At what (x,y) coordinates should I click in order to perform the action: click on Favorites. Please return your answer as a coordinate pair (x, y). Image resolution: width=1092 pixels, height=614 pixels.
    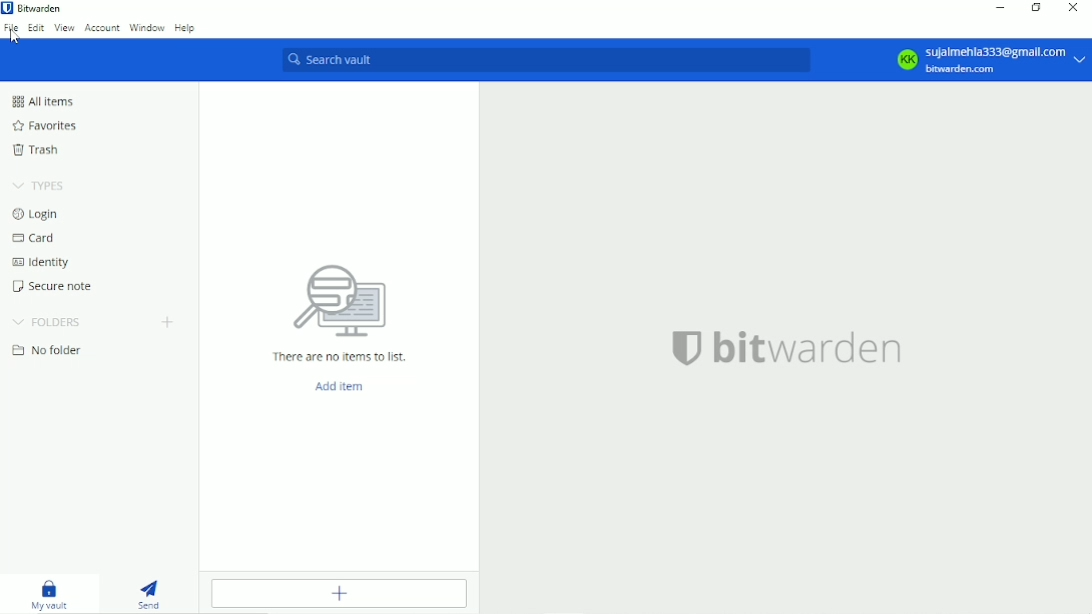
    Looking at the image, I should click on (45, 126).